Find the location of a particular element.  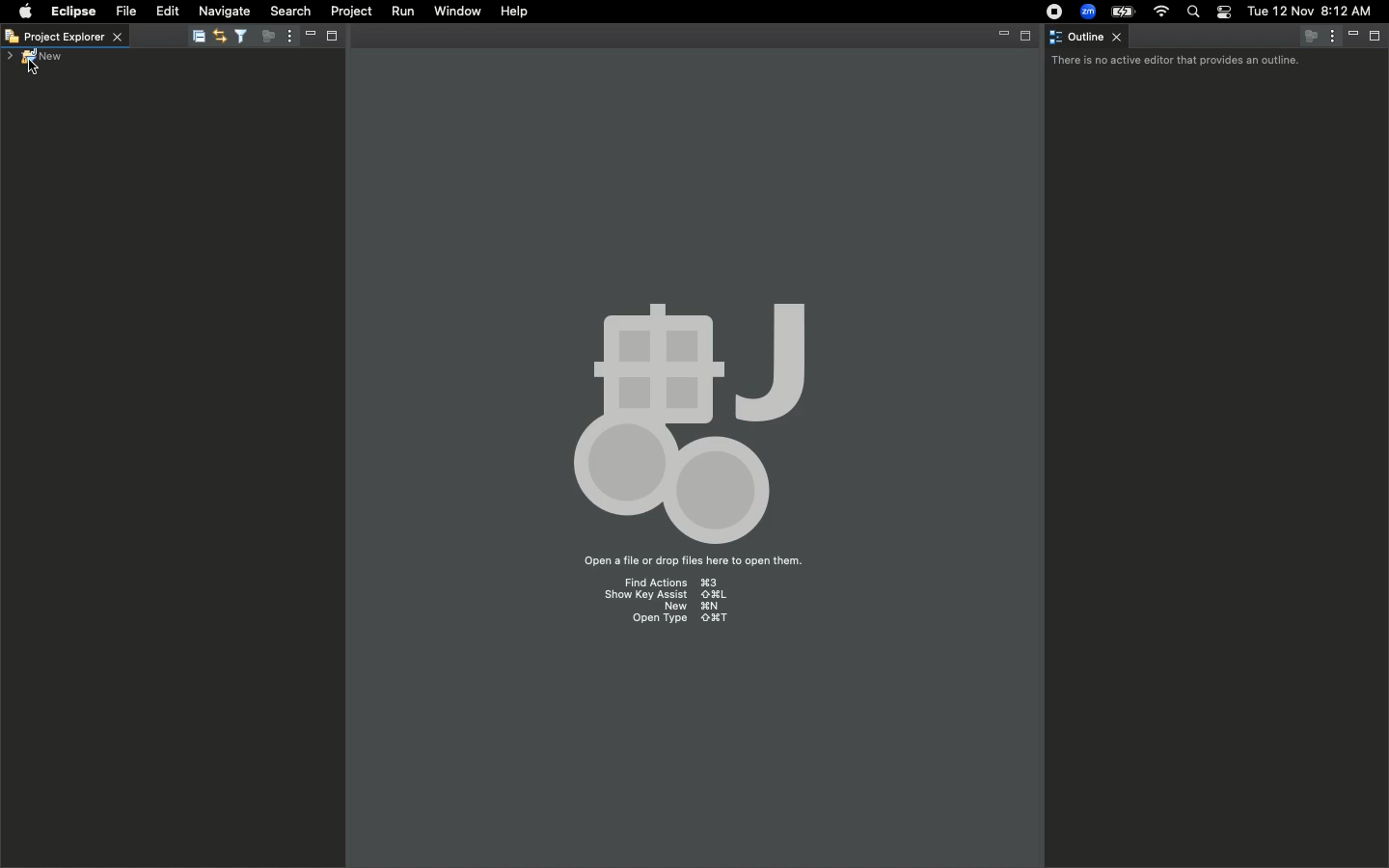

Project explorer is located at coordinates (68, 35).